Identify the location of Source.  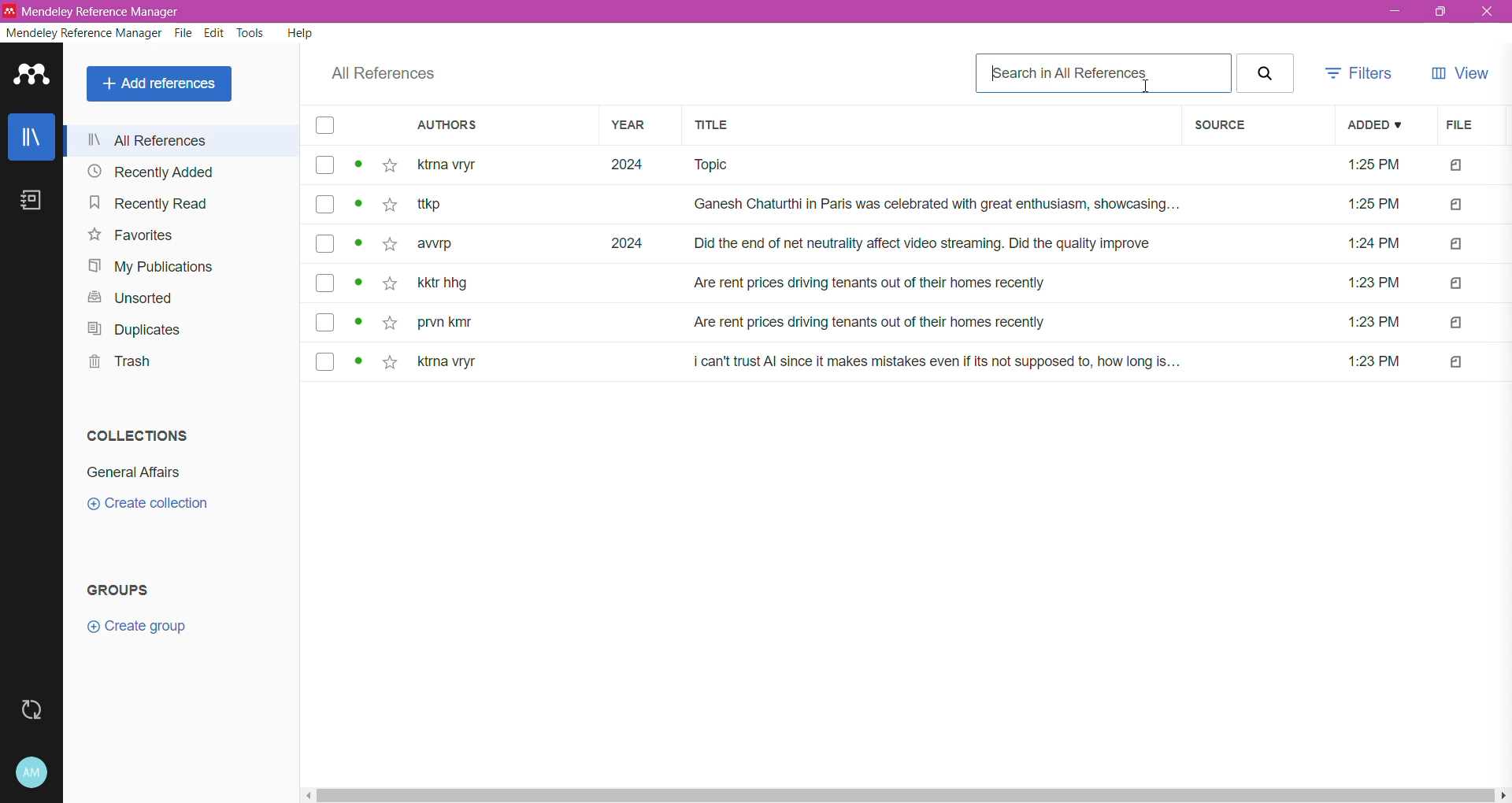
(1254, 126).